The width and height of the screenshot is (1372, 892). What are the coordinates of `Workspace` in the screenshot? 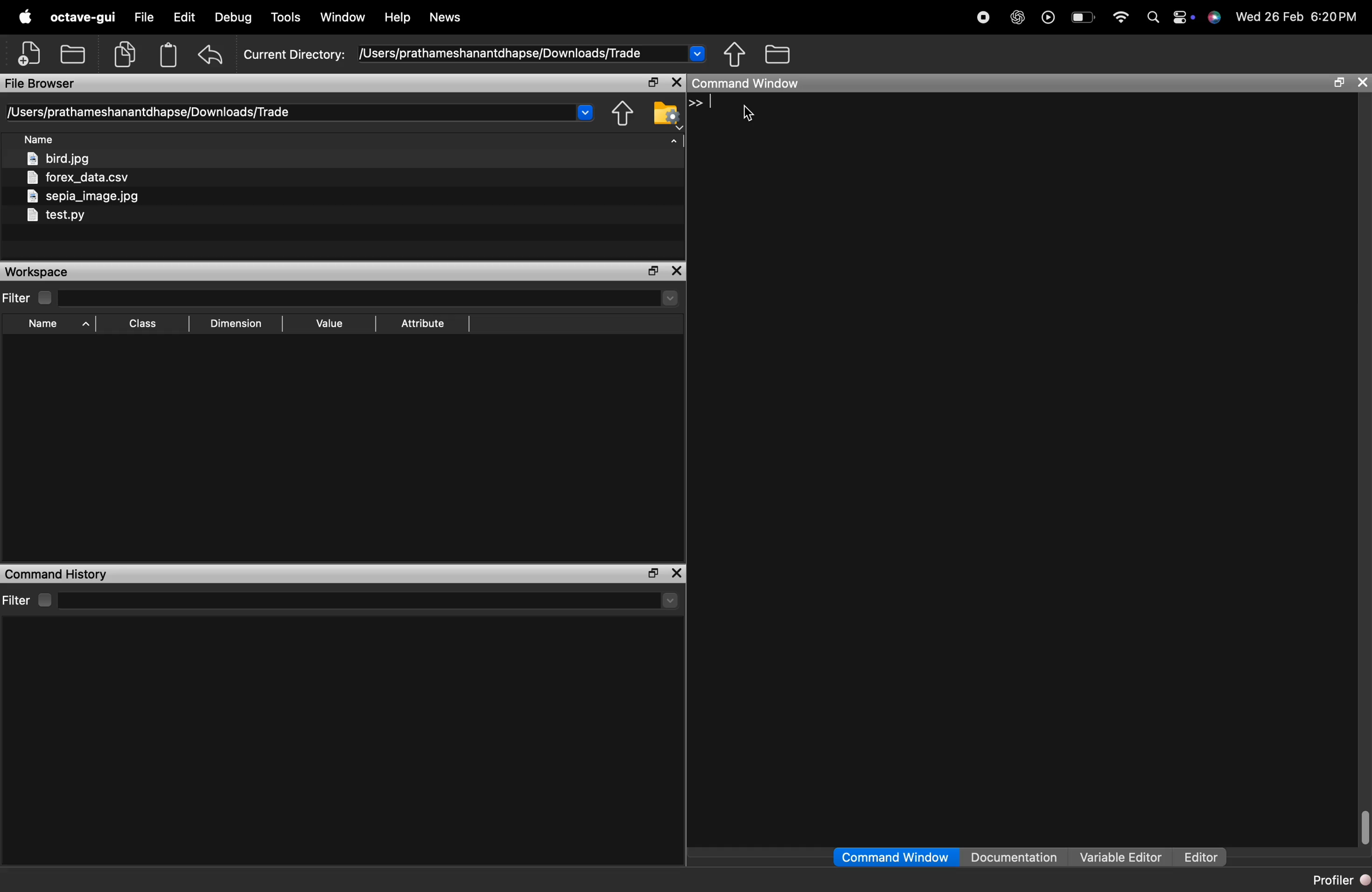 It's located at (38, 272).